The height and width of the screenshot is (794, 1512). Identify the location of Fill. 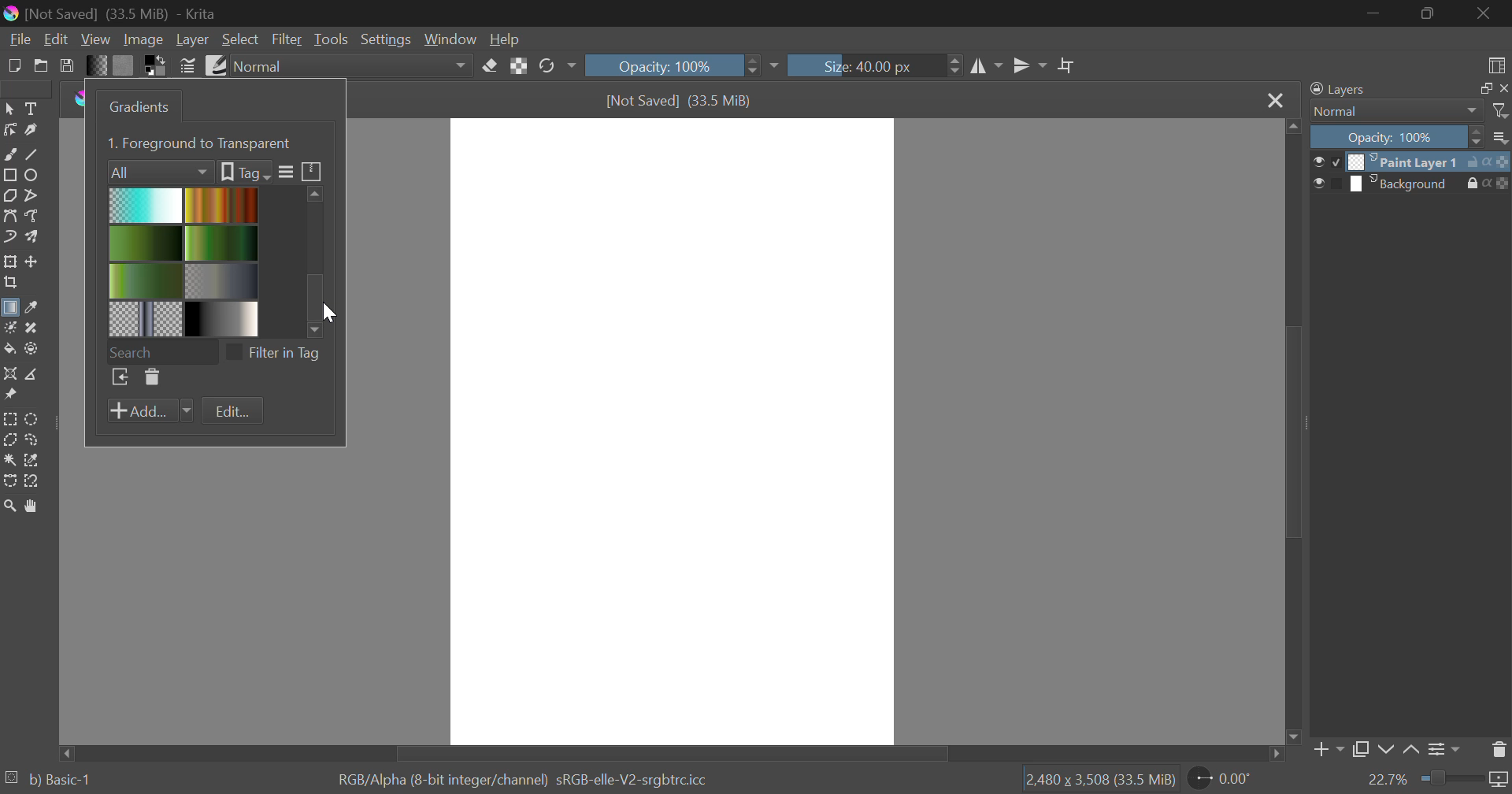
(9, 349).